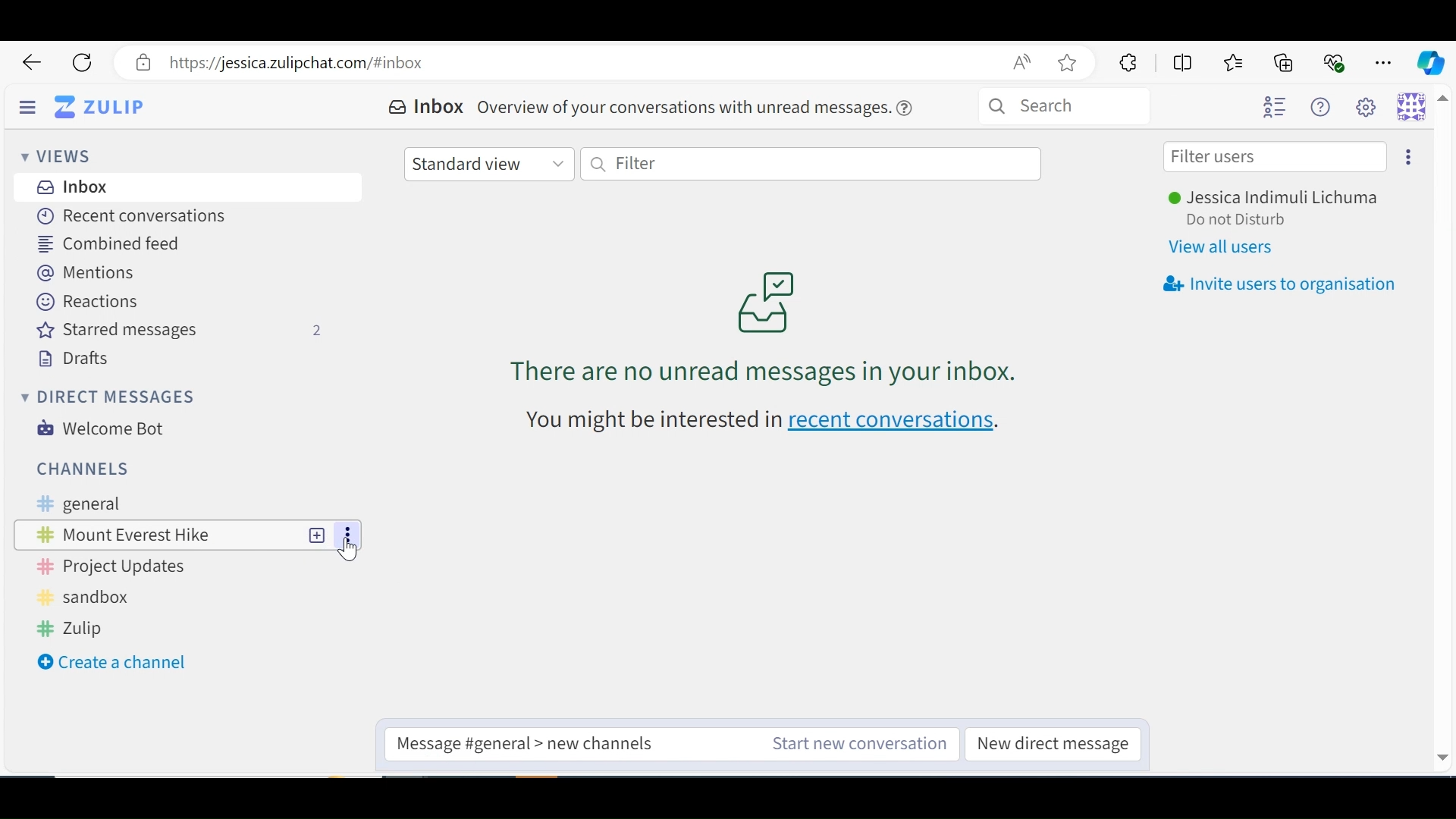 This screenshot has width=1456, height=819. I want to click on overview, so click(701, 106).